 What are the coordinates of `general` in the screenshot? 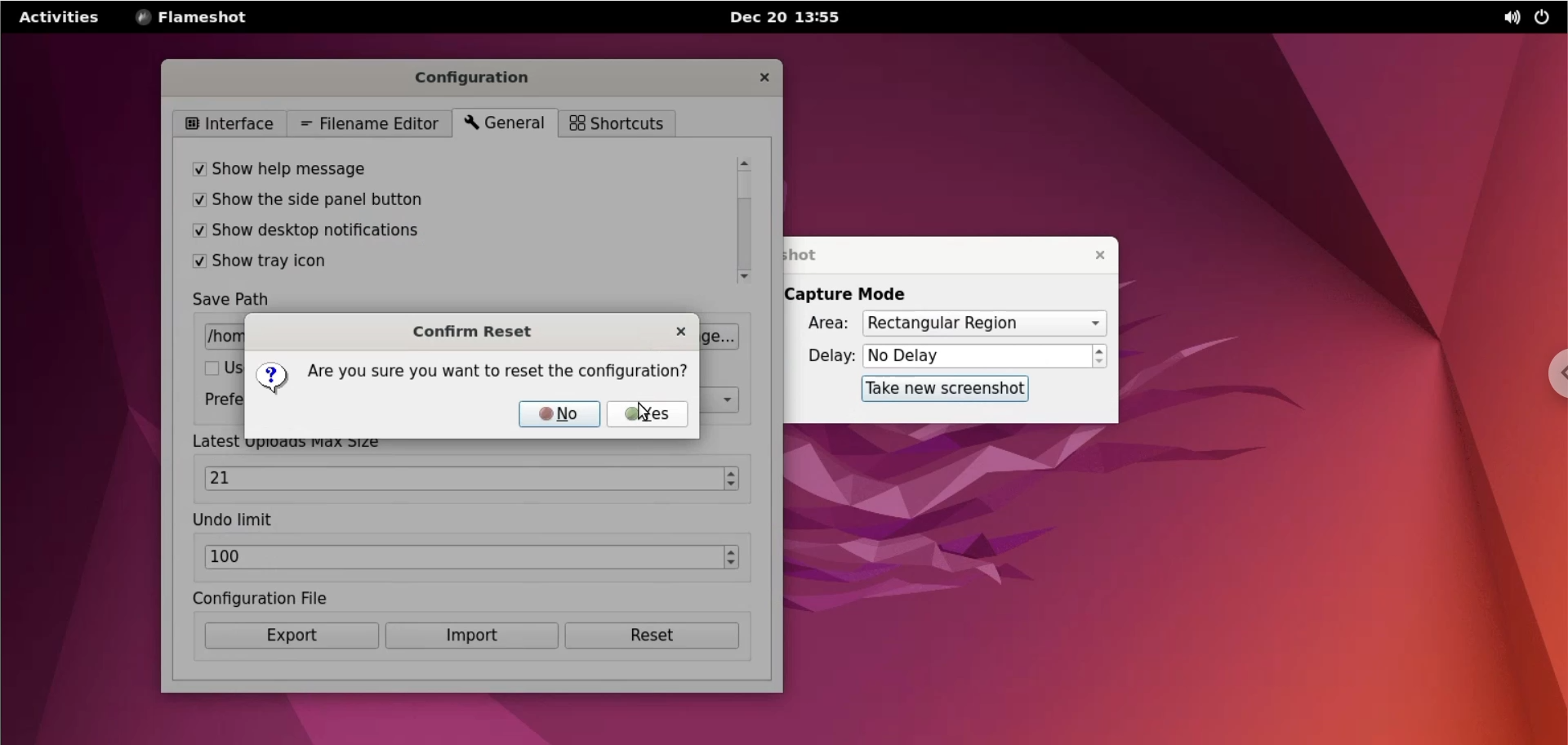 It's located at (506, 124).